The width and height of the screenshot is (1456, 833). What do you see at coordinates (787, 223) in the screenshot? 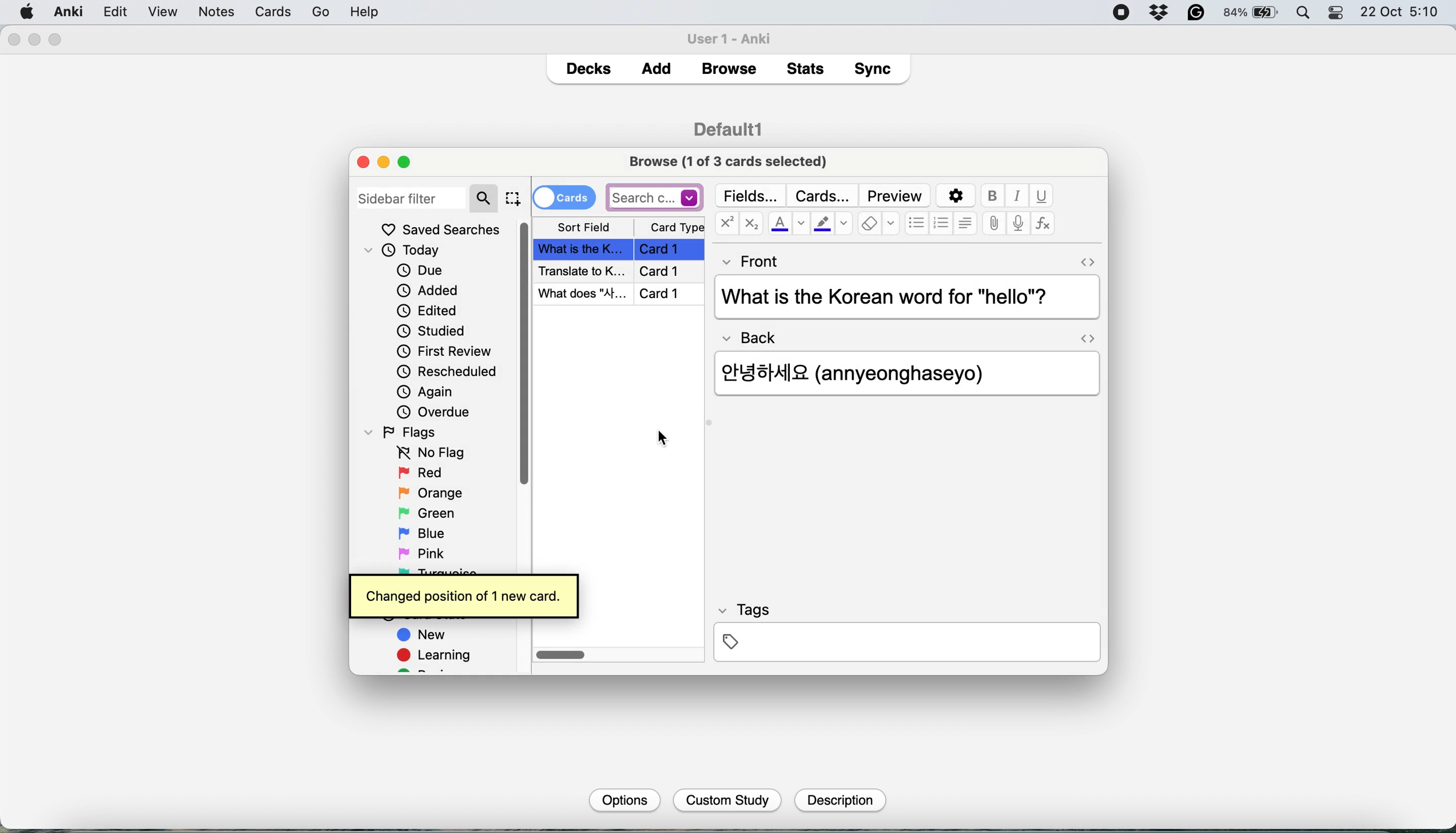
I see `text color` at bounding box center [787, 223].